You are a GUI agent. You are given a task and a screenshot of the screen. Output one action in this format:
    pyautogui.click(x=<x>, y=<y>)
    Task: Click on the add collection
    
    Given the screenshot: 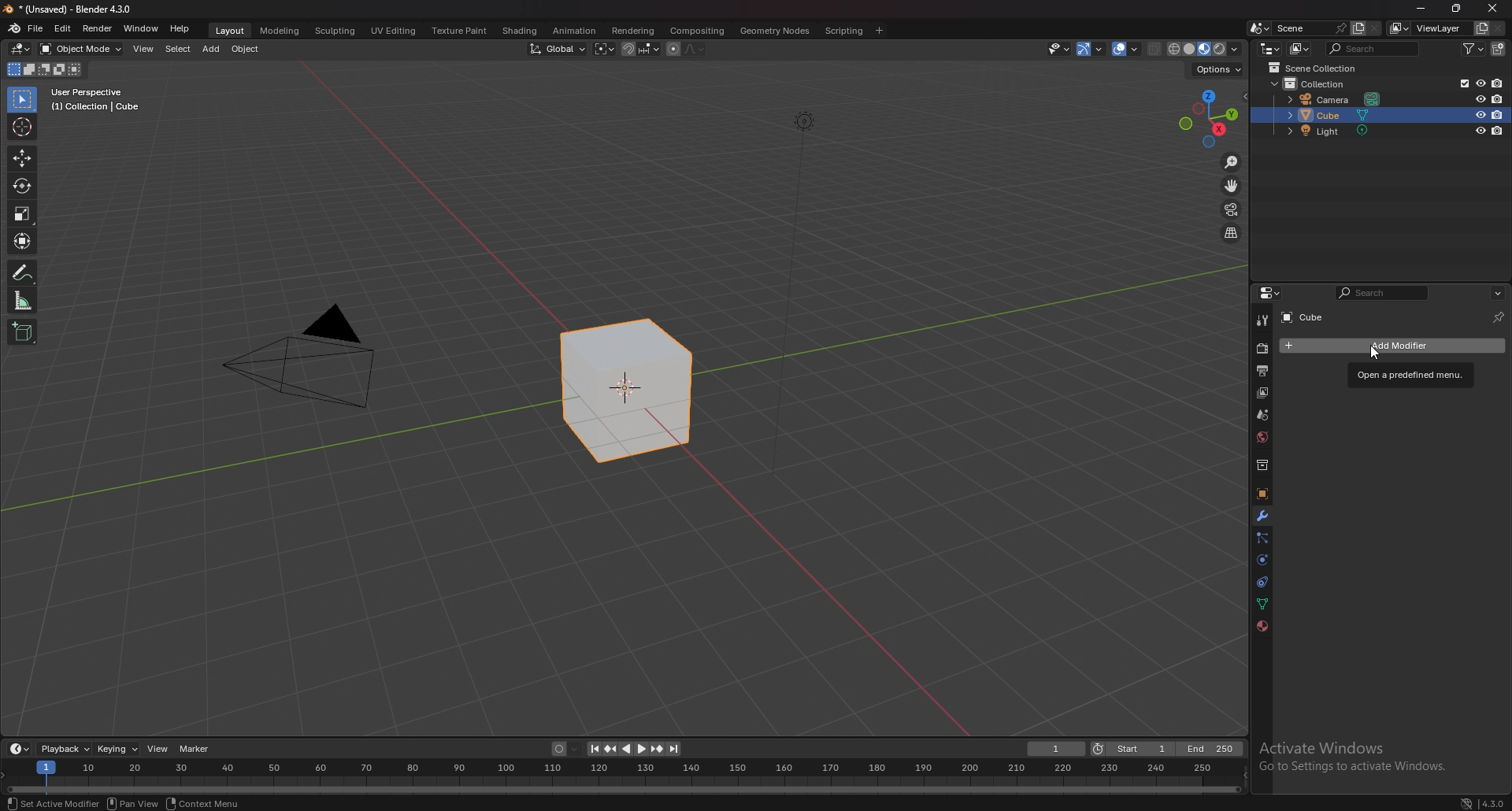 What is the action you would take?
    pyautogui.click(x=1498, y=49)
    